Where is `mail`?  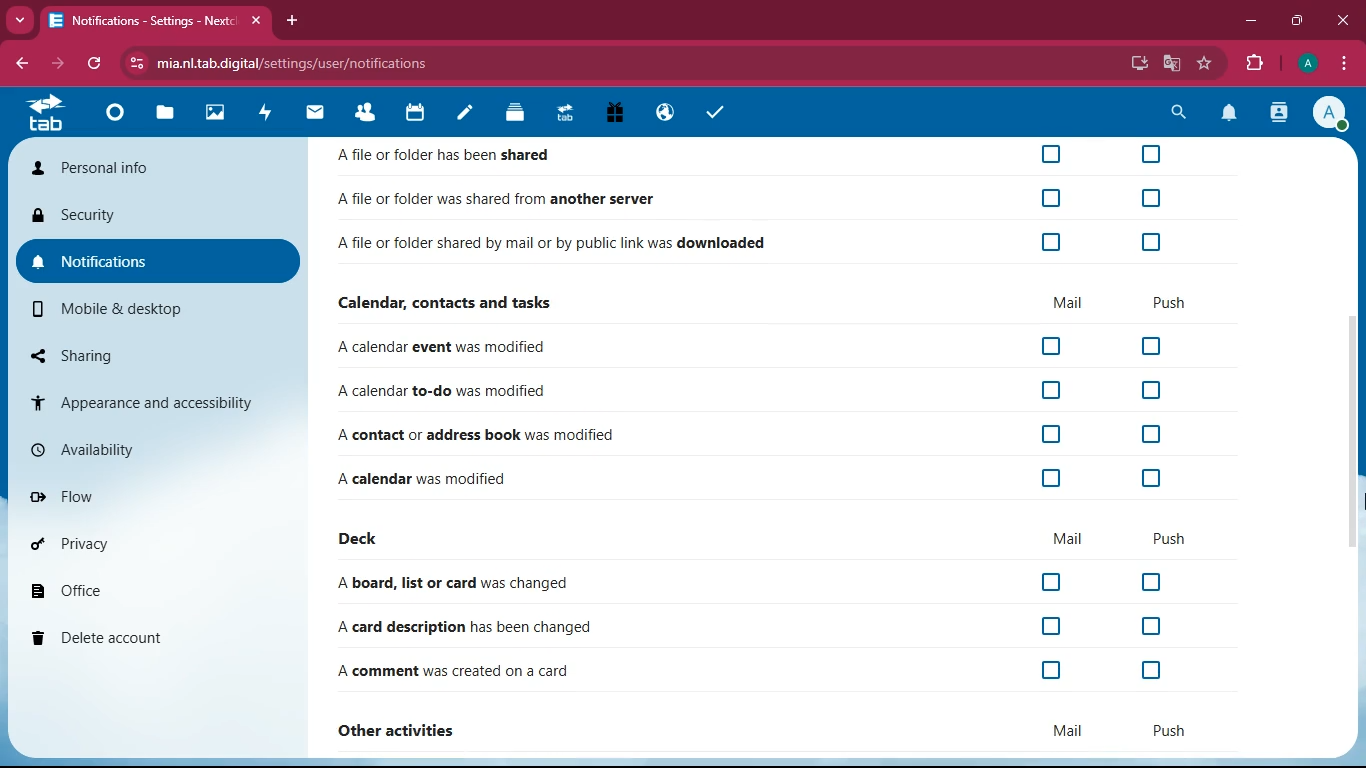 mail is located at coordinates (1065, 736).